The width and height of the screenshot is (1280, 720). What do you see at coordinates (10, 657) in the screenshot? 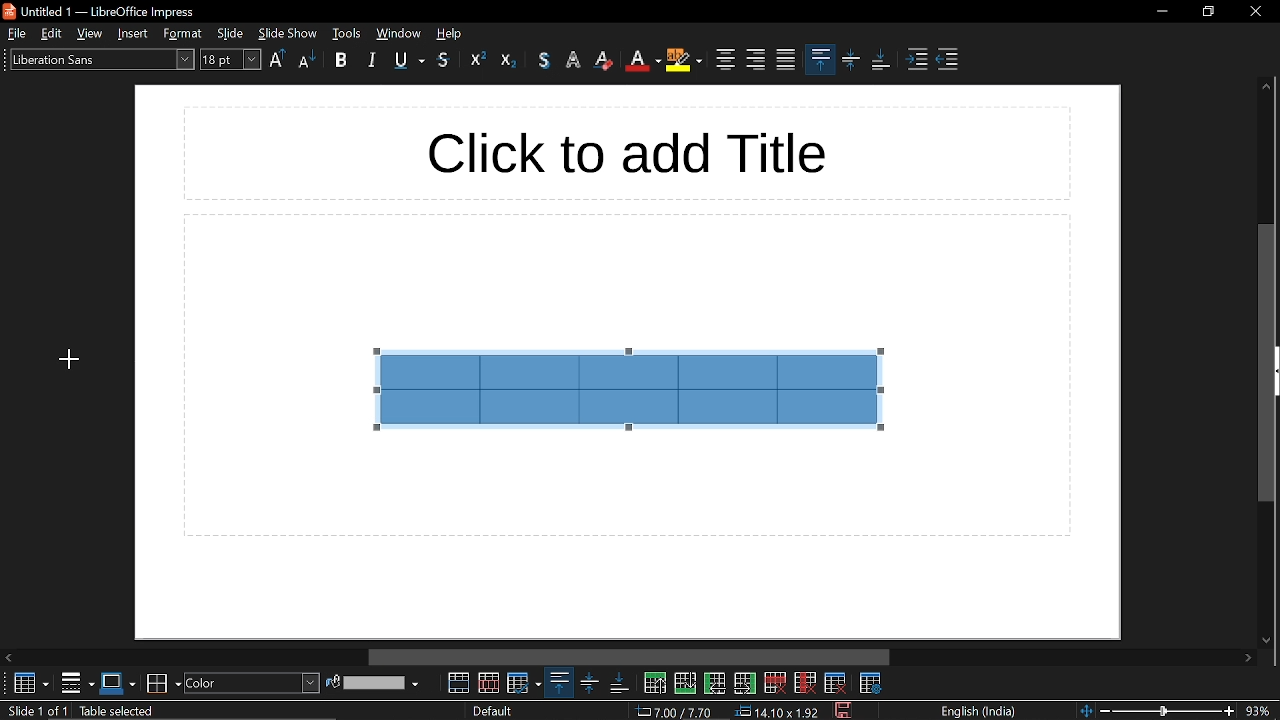
I see `Move left` at bounding box center [10, 657].